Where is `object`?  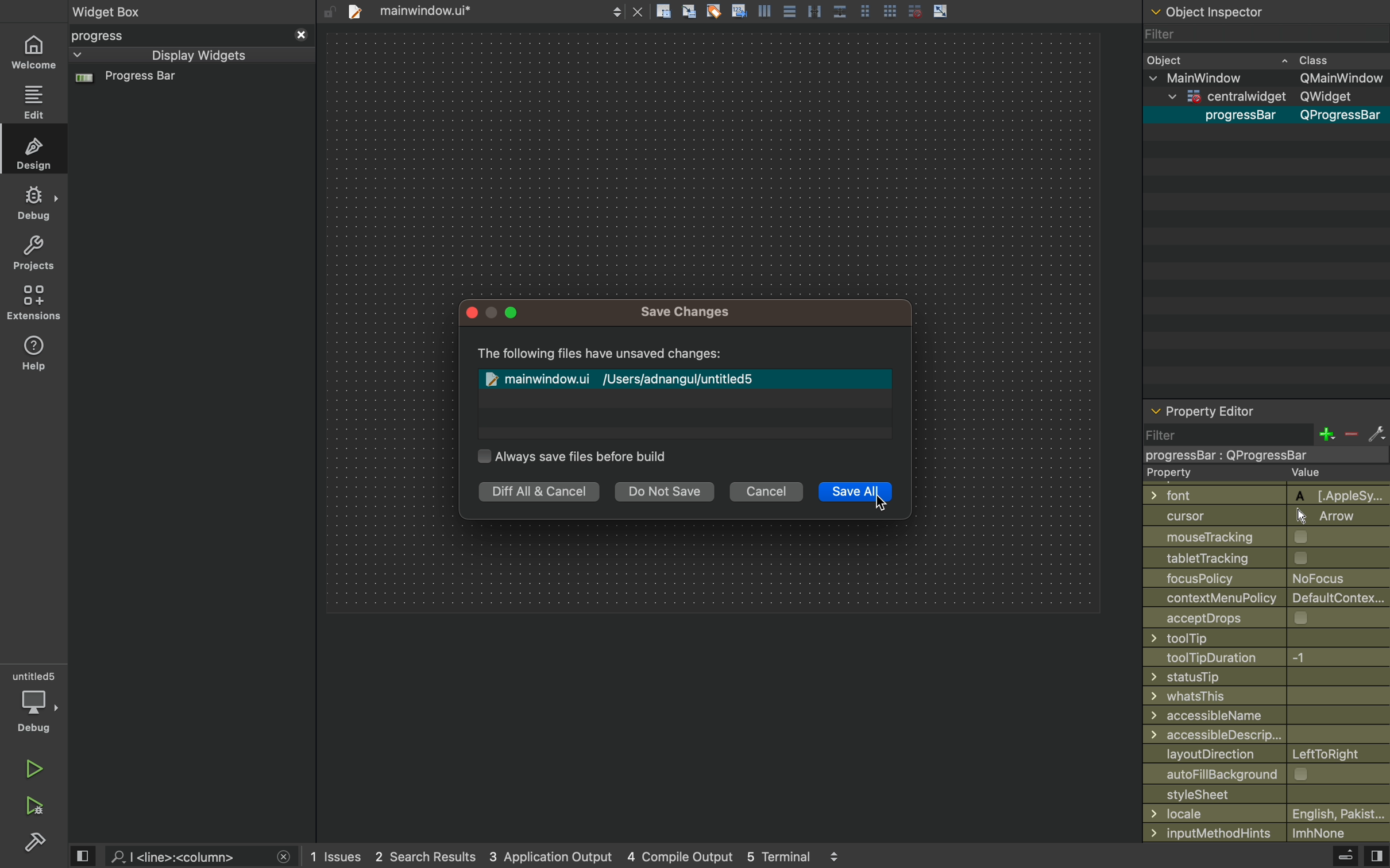
object is located at coordinates (1254, 59).